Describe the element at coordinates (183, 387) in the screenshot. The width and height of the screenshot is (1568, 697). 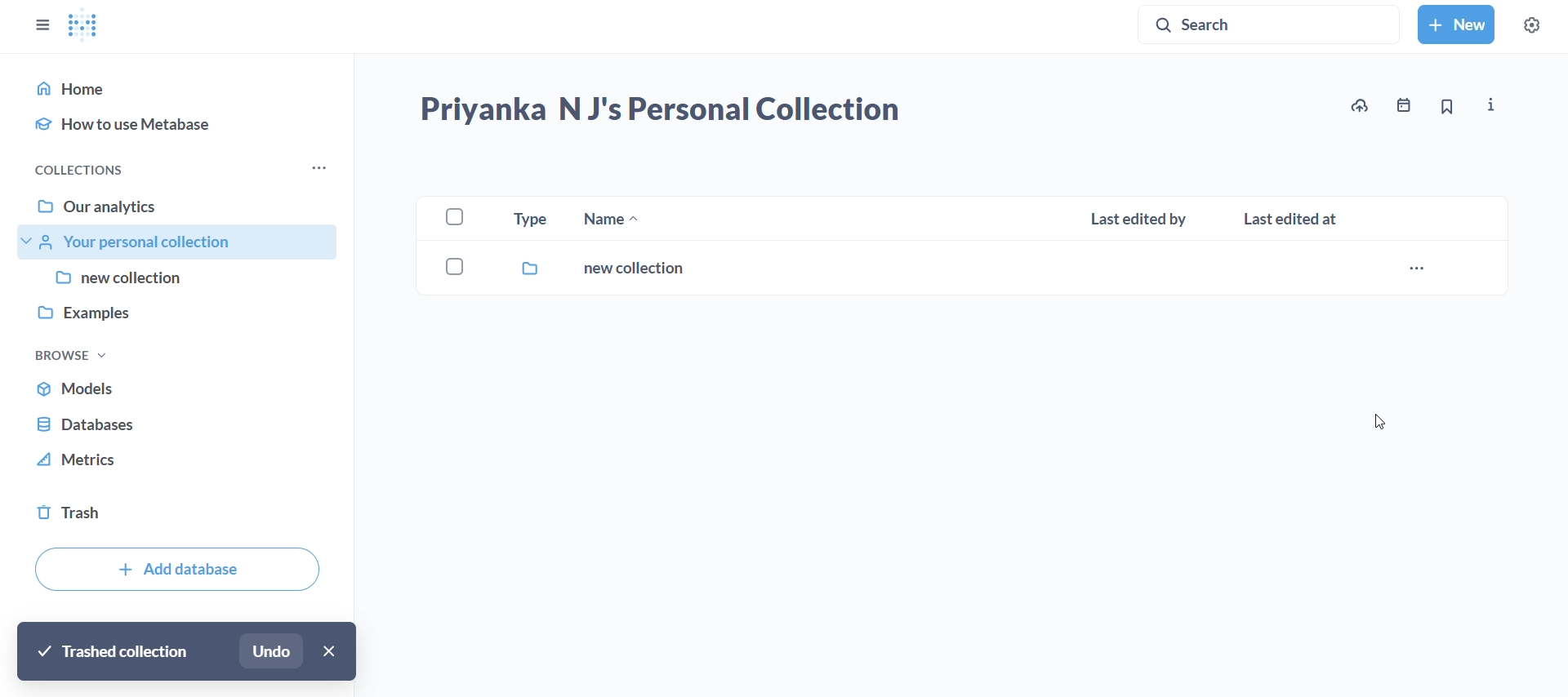
I see `models` at that location.